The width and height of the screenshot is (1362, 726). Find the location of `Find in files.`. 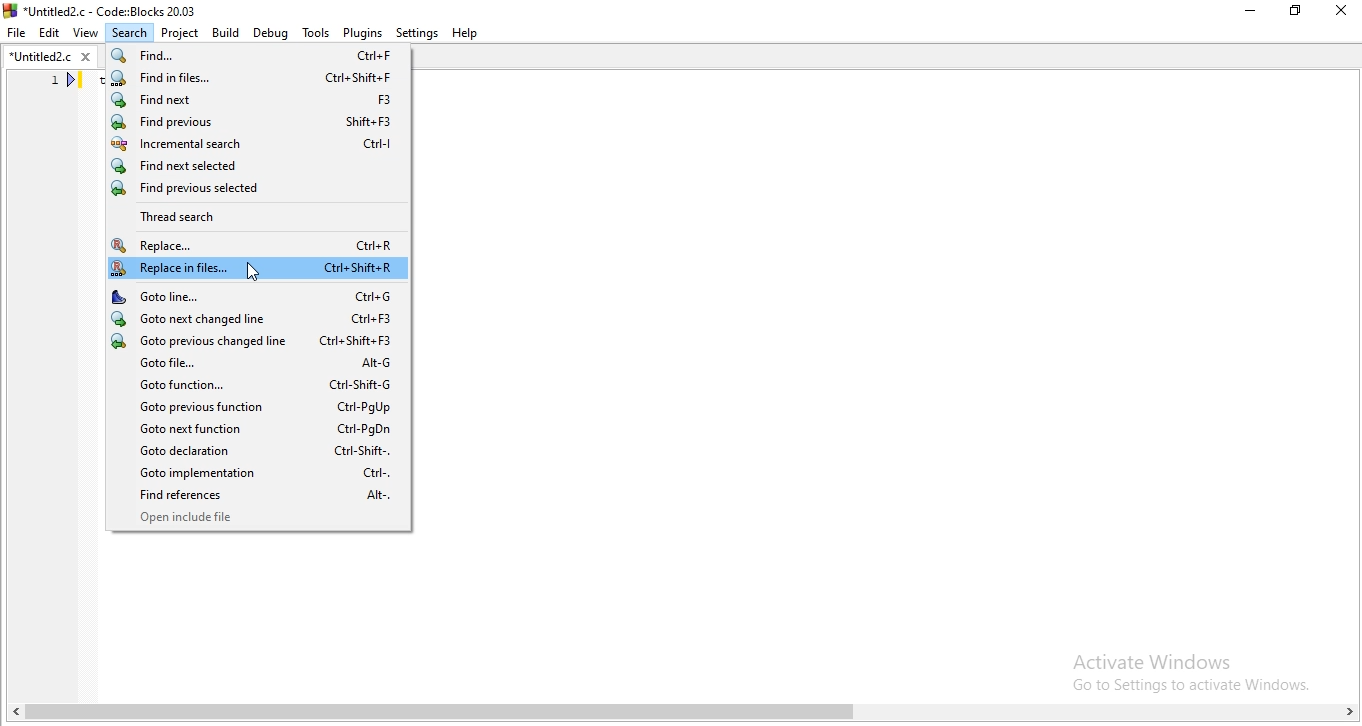

Find in files. is located at coordinates (257, 79).